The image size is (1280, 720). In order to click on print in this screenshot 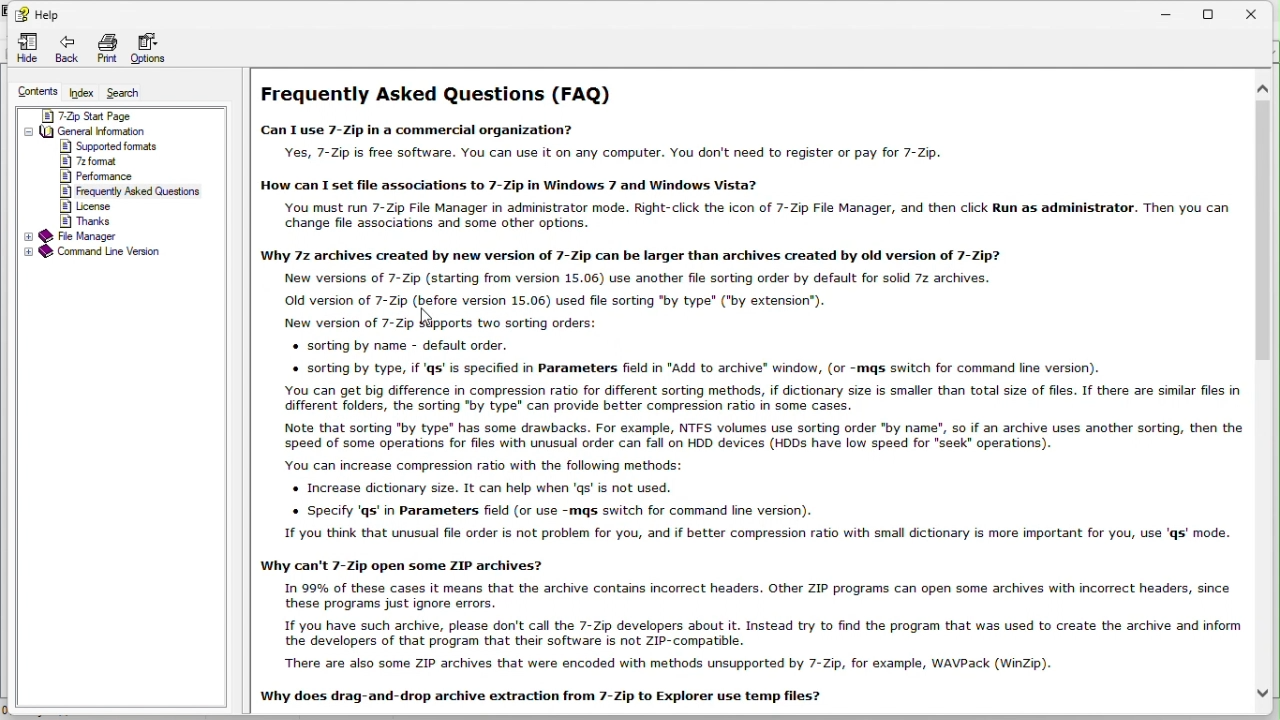, I will do `click(104, 48)`.